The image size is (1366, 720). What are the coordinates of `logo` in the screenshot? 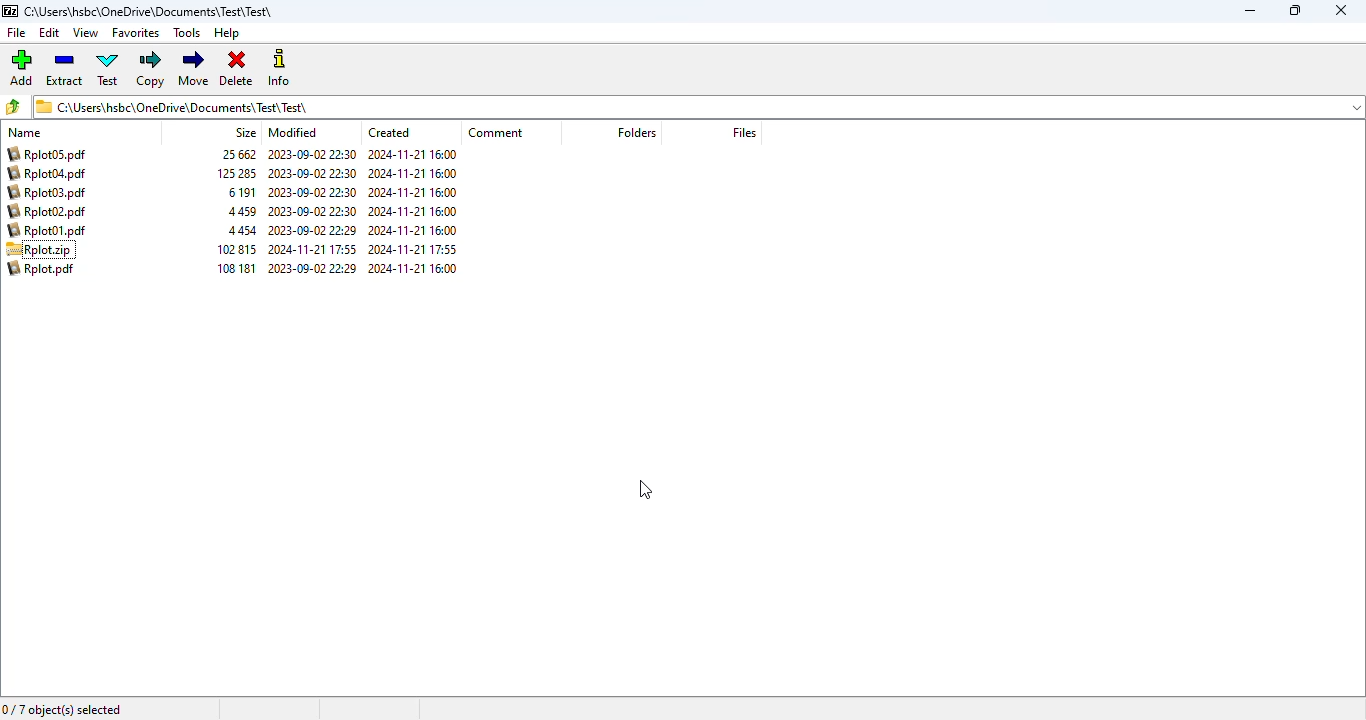 It's located at (9, 11).